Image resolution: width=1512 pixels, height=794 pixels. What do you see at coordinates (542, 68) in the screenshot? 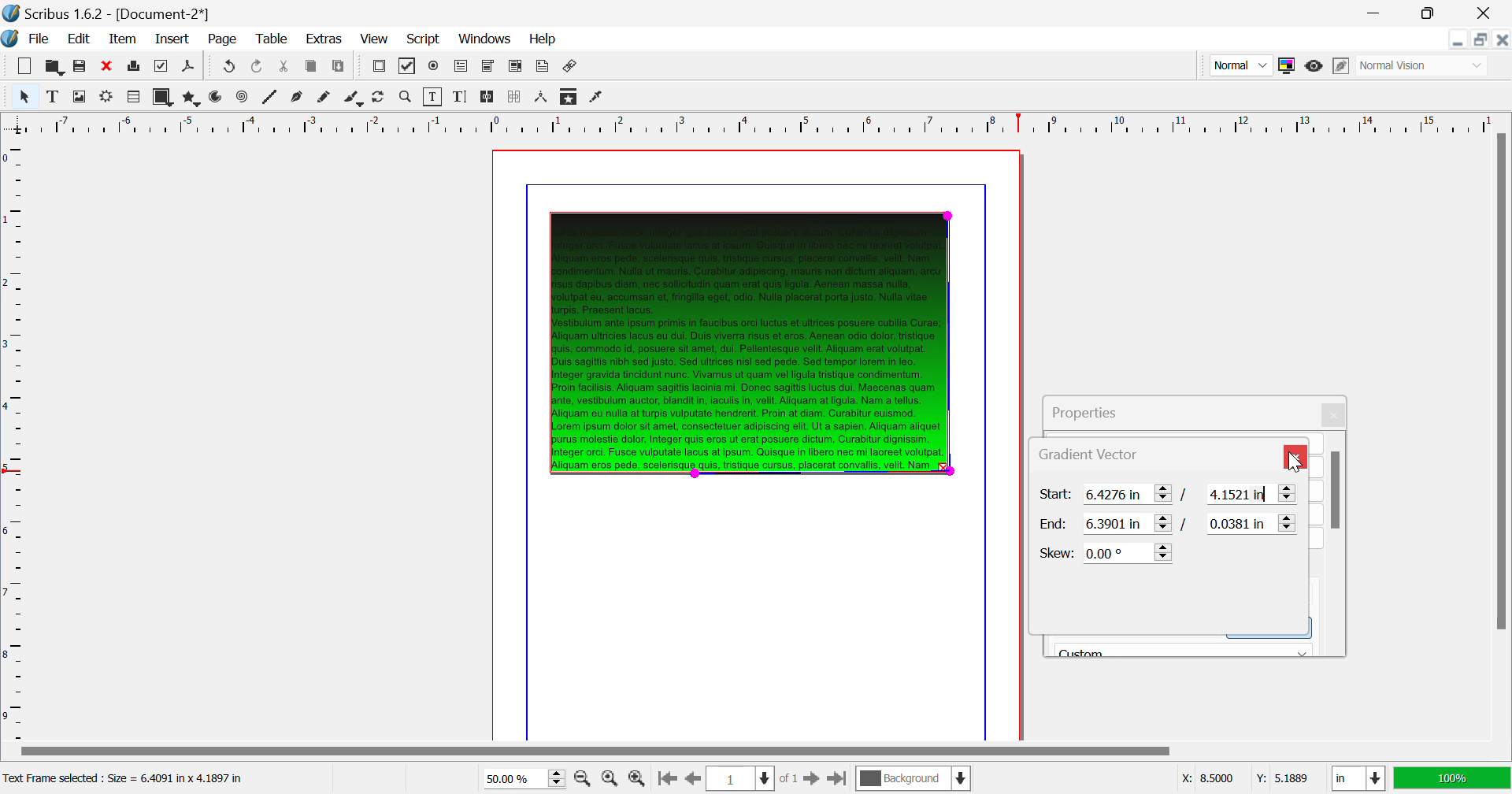
I see `Text Annotation` at bounding box center [542, 68].